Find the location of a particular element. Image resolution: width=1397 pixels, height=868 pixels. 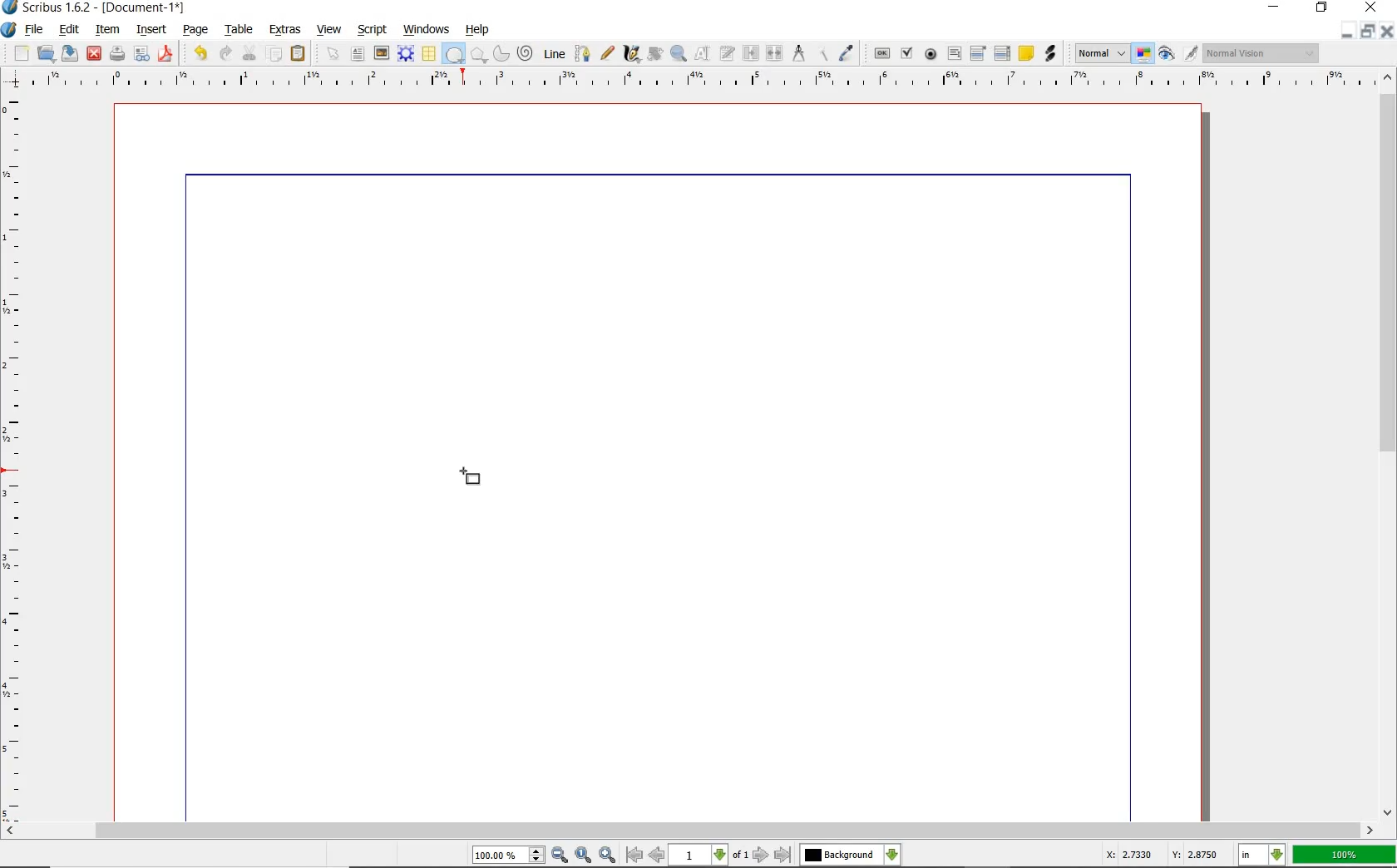

CLOSE is located at coordinates (1369, 7).